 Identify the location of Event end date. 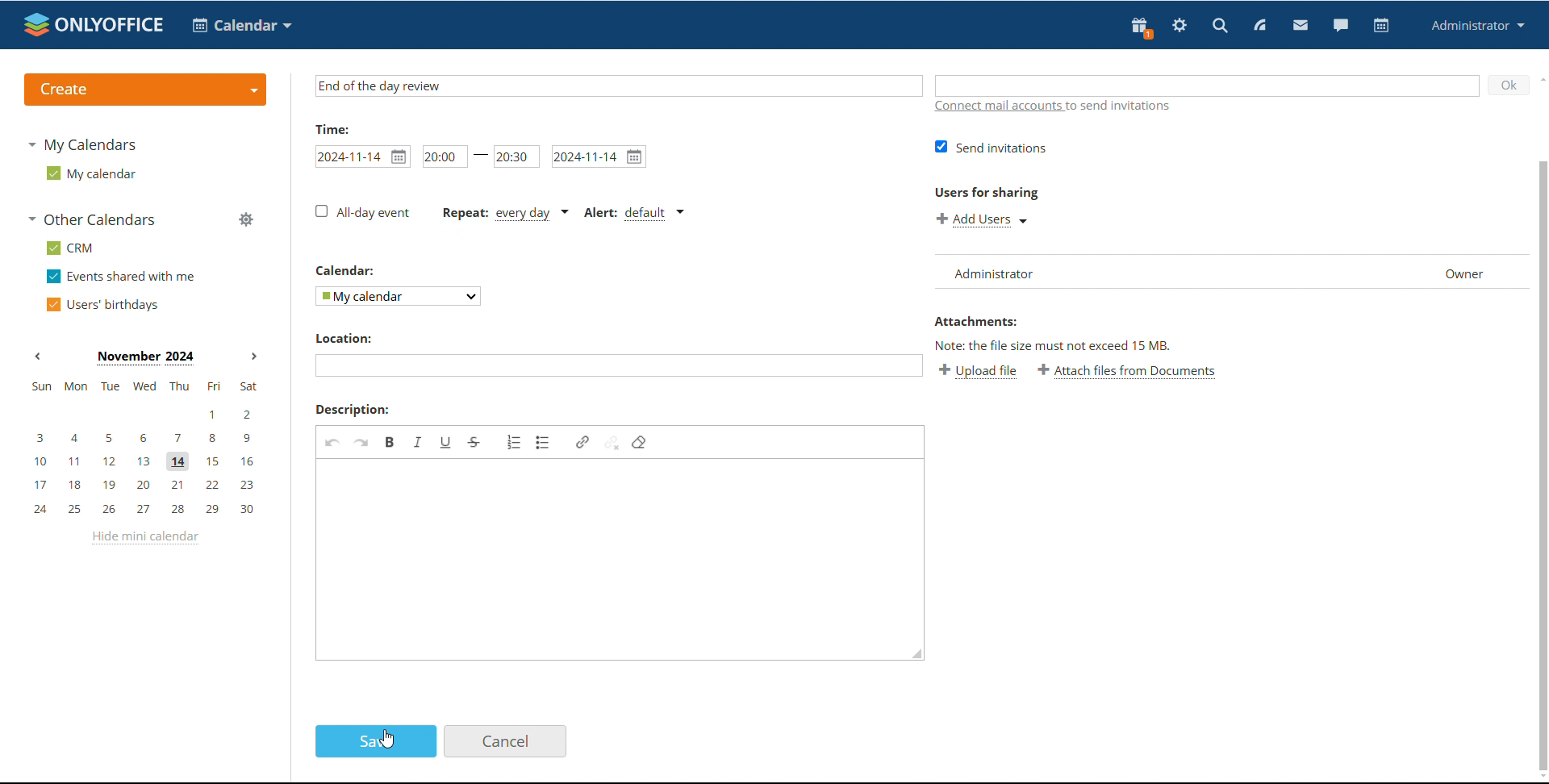
(599, 156).